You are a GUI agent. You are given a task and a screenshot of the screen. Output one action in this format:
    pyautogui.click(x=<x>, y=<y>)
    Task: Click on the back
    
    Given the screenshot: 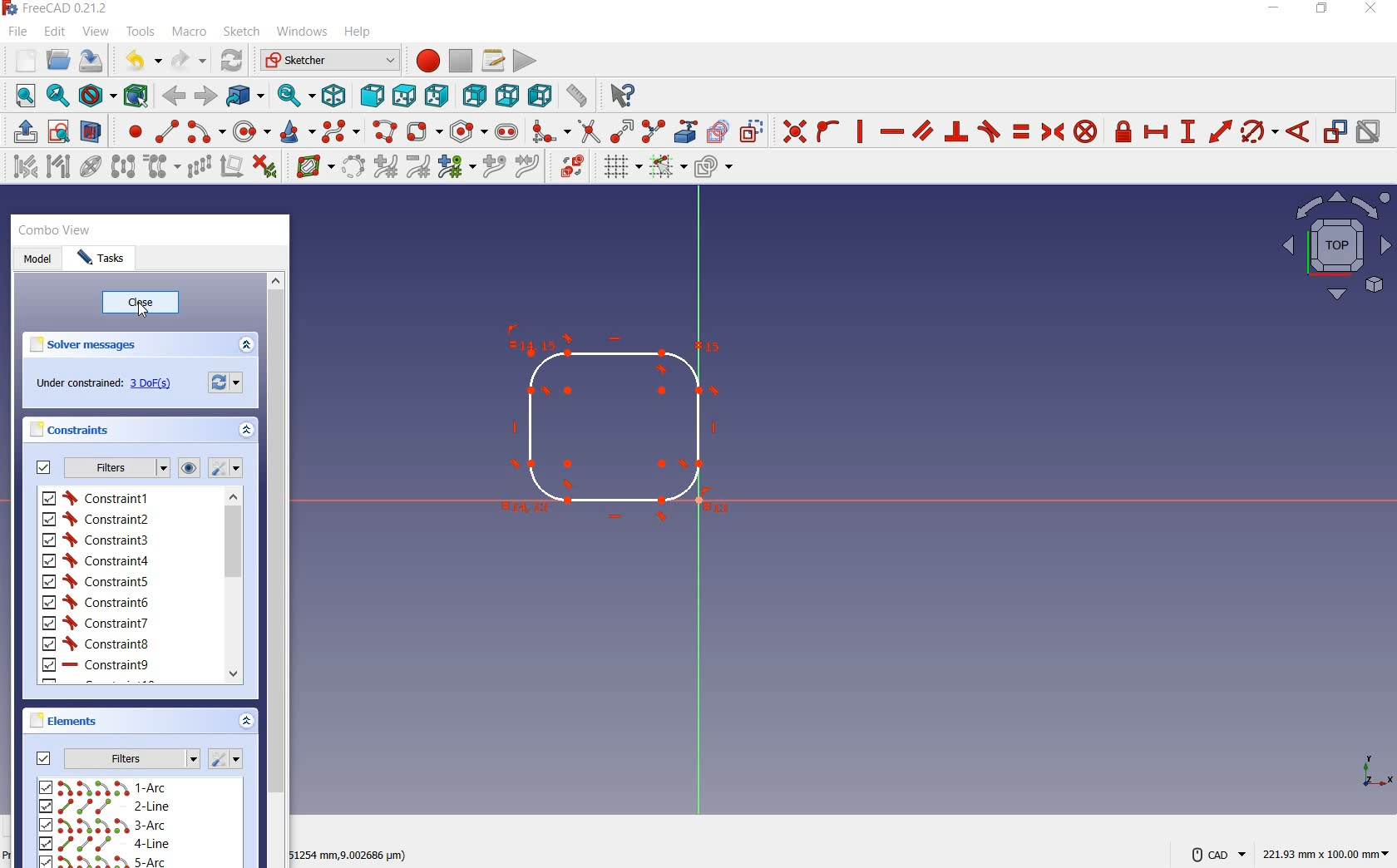 What is the action you would take?
    pyautogui.click(x=207, y=96)
    